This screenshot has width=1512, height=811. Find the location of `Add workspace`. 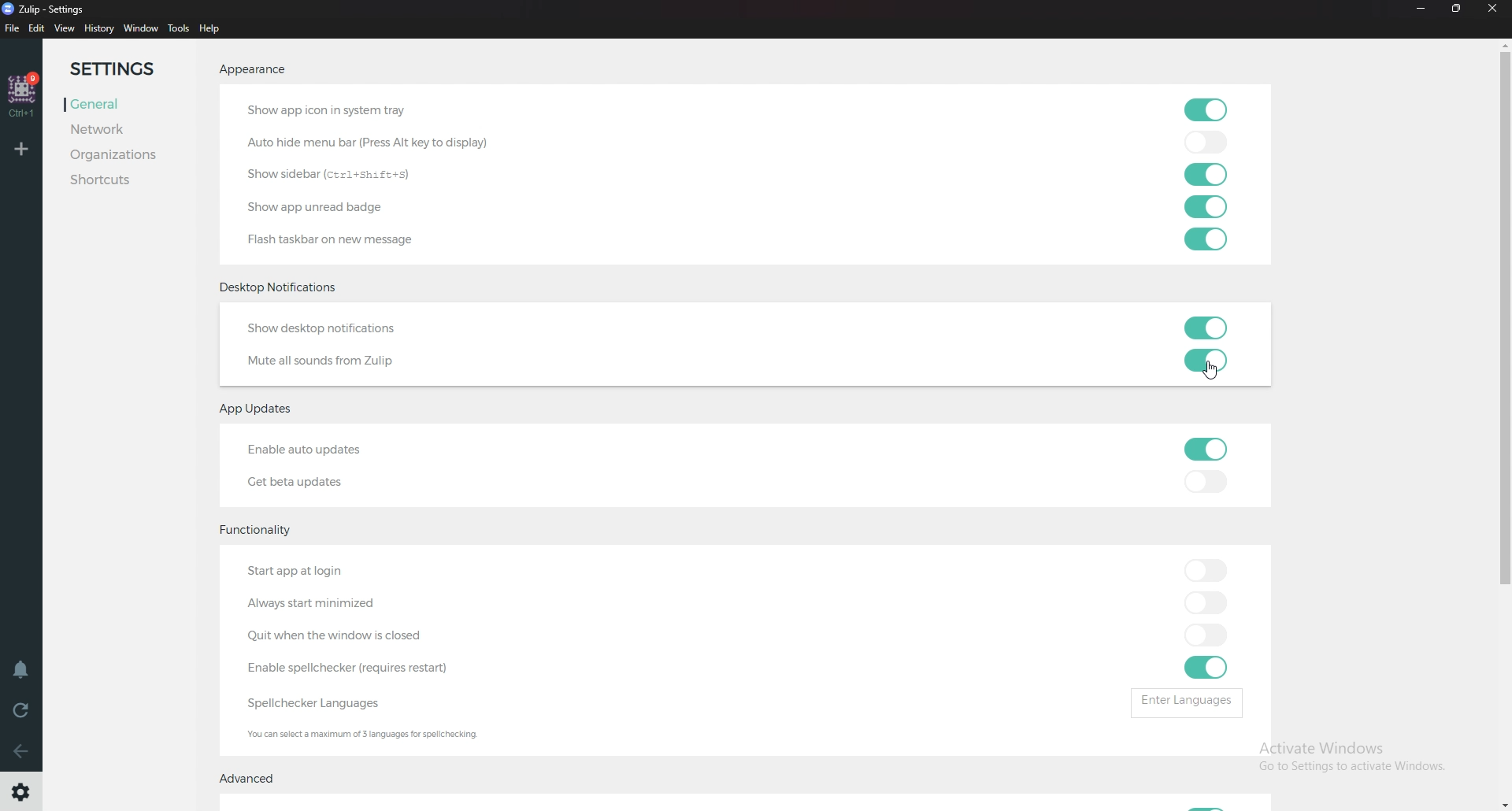

Add workspace is located at coordinates (22, 150).